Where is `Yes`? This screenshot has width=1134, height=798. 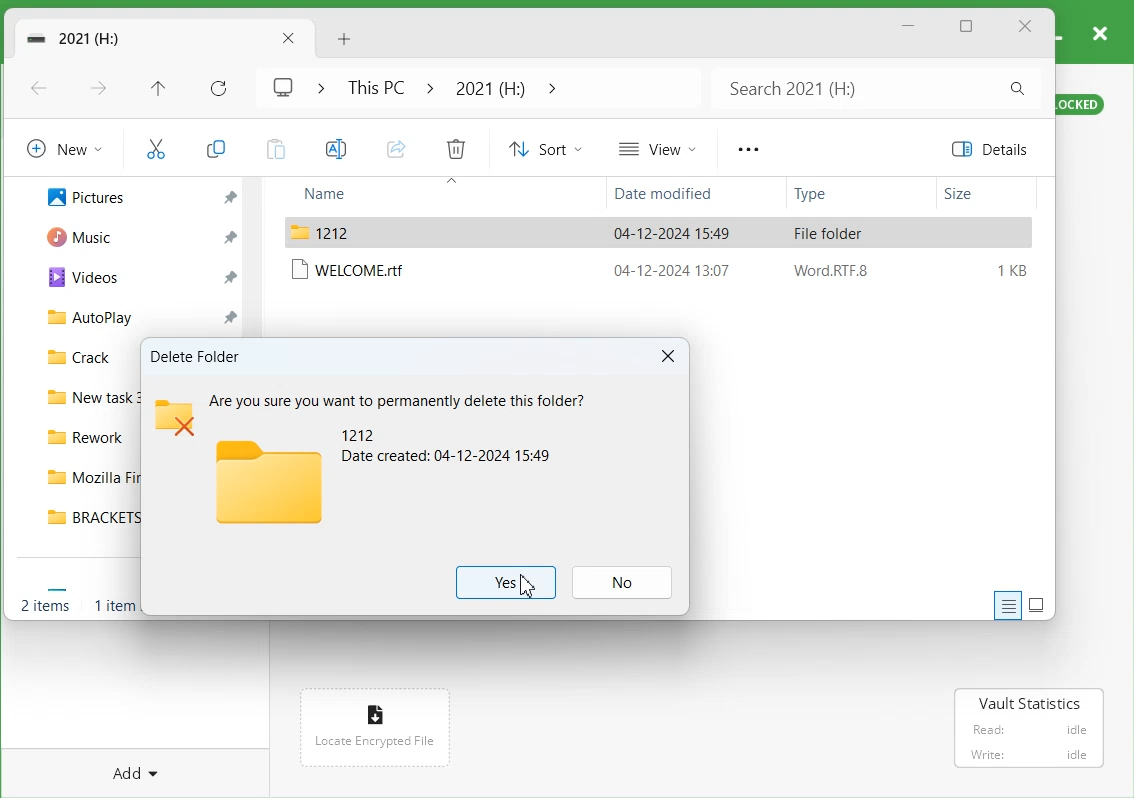
Yes is located at coordinates (506, 583).